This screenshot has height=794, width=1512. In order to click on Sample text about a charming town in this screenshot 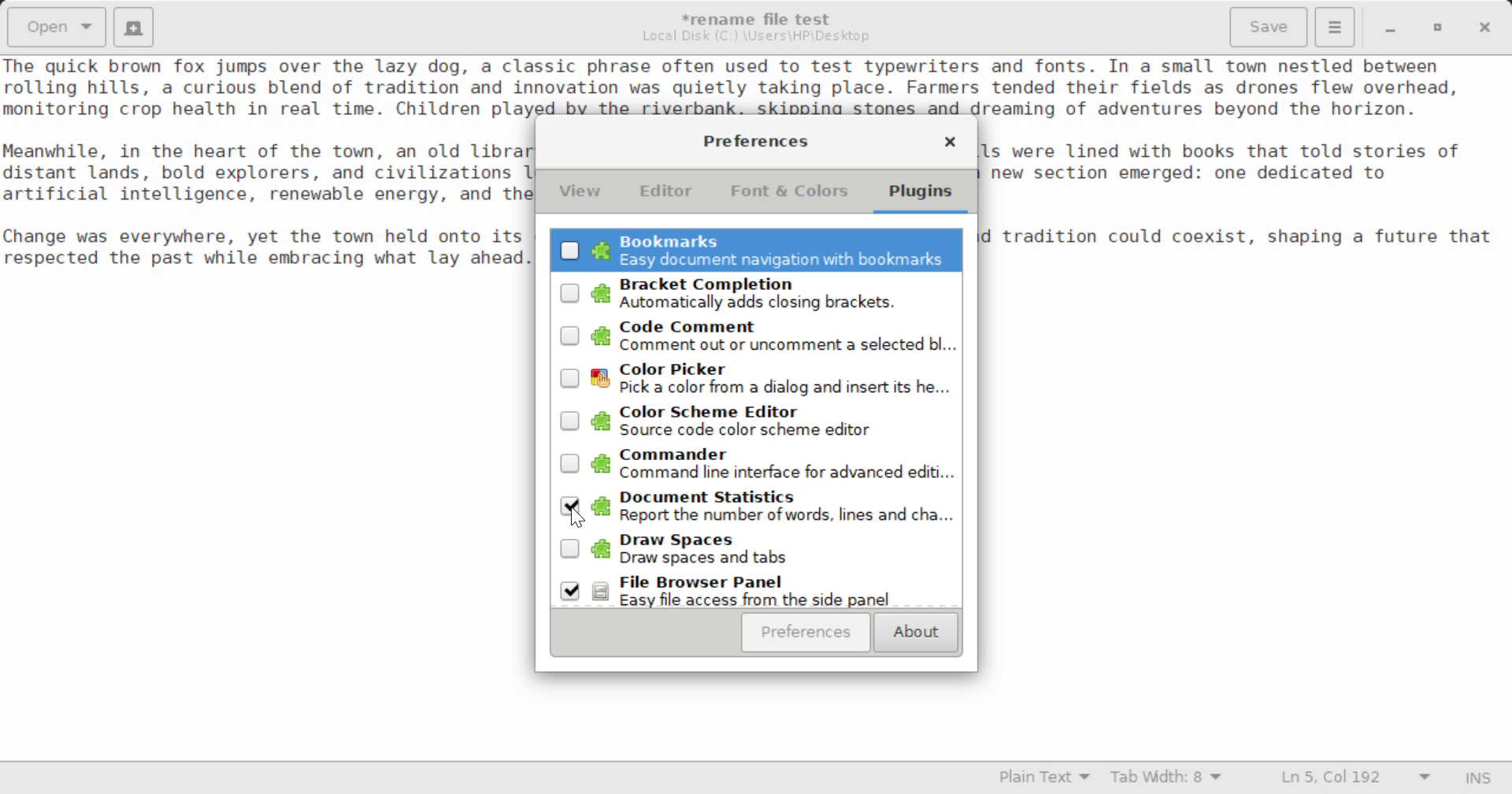, I will do `click(756, 86)`.